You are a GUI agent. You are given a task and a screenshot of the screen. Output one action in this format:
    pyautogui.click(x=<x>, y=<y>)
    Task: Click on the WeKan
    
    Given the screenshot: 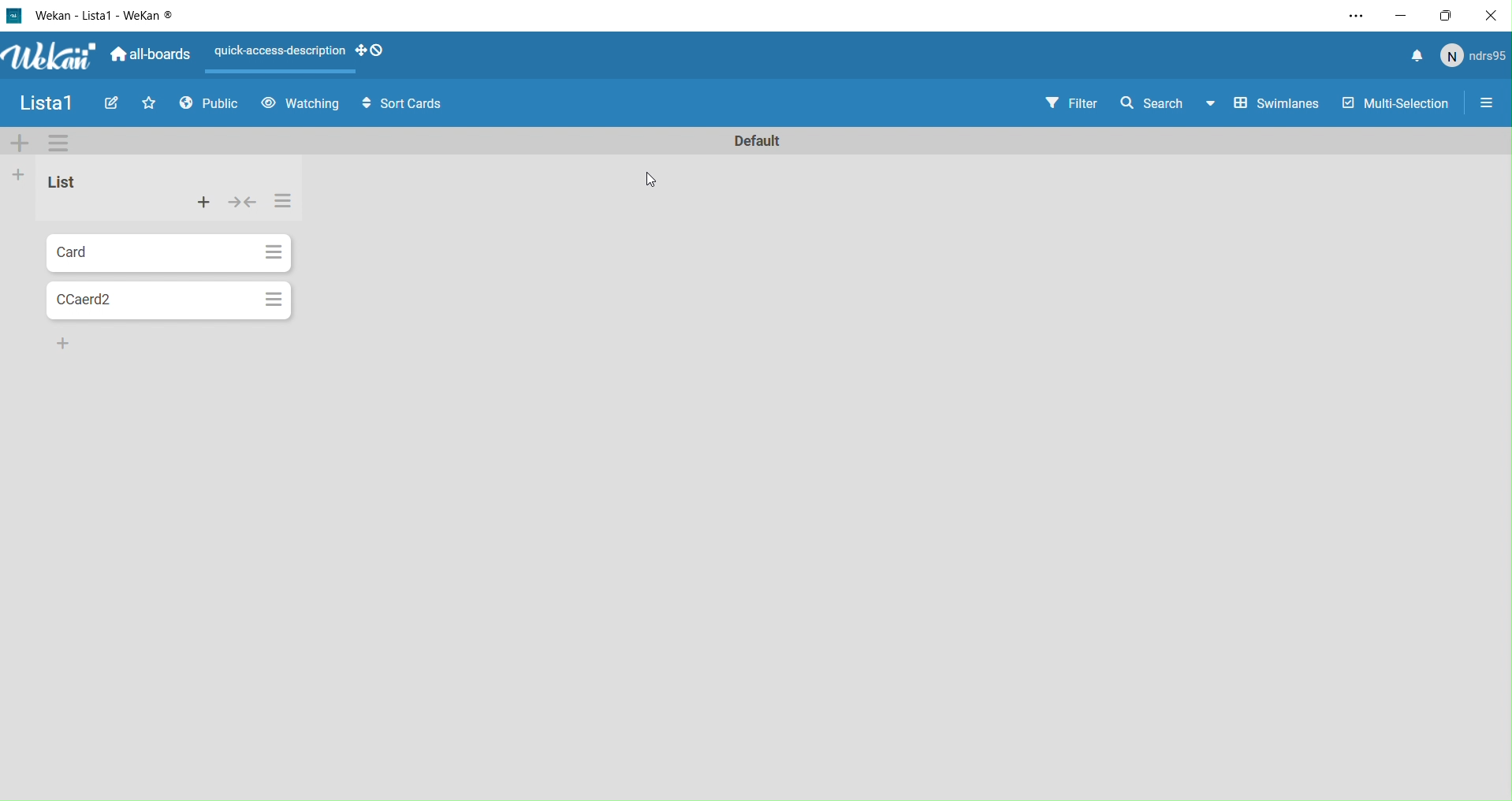 What is the action you would take?
    pyautogui.click(x=95, y=14)
    